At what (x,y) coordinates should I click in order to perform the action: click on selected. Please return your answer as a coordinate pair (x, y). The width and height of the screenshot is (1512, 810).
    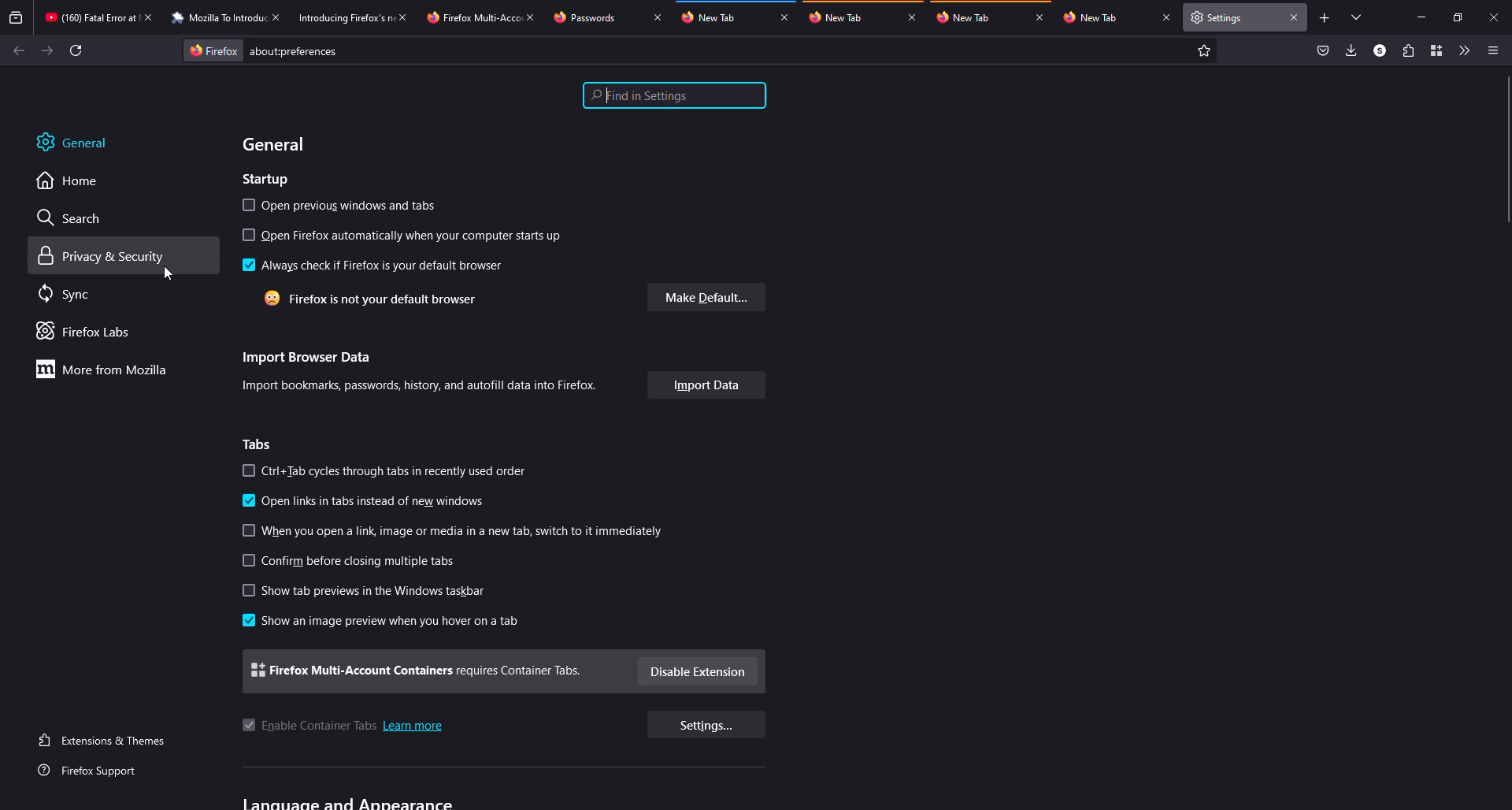
    Looking at the image, I should click on (247, 620).